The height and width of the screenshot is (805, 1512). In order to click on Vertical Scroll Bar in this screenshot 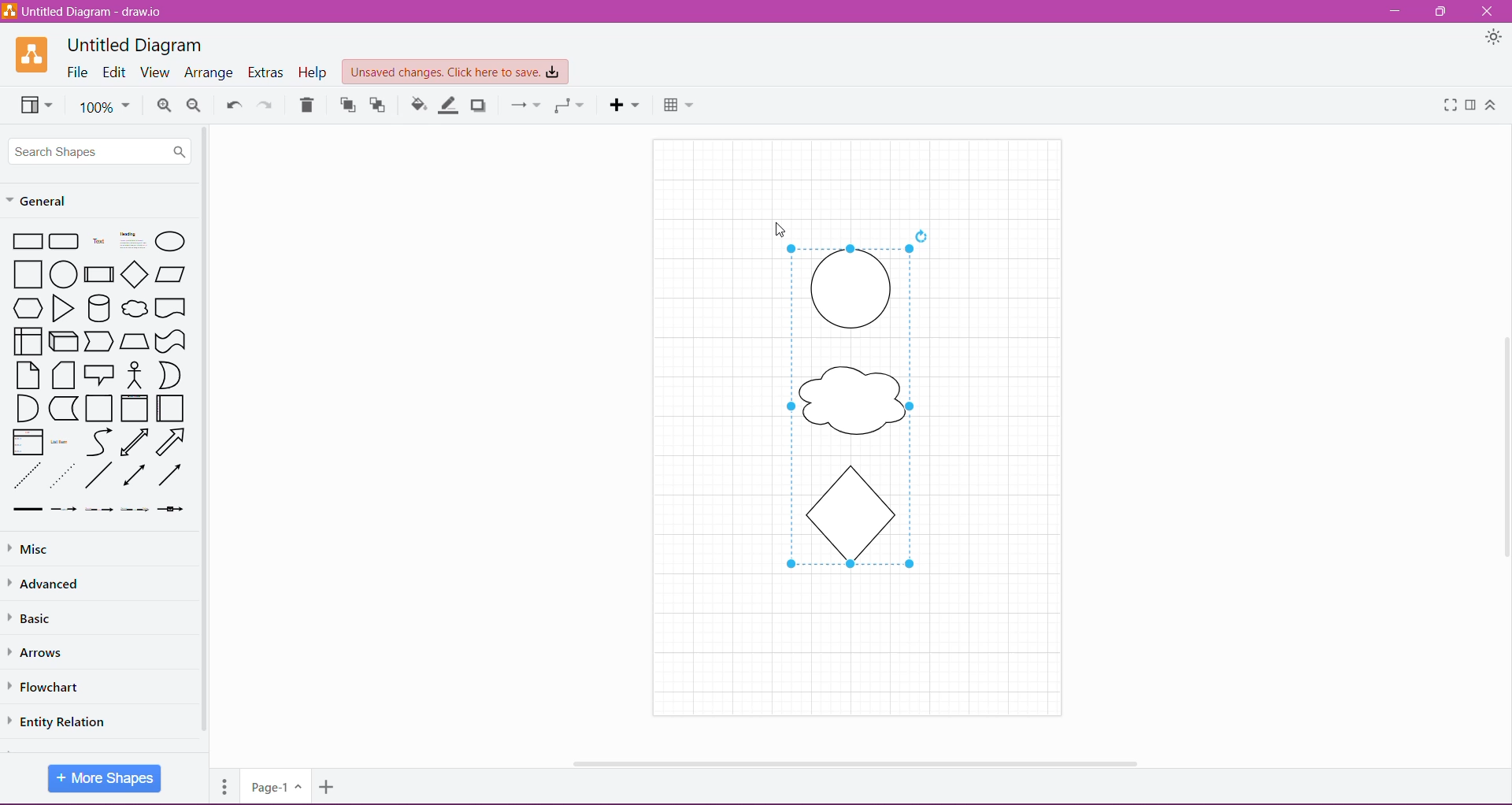, I will do `click(1502, 443)`.